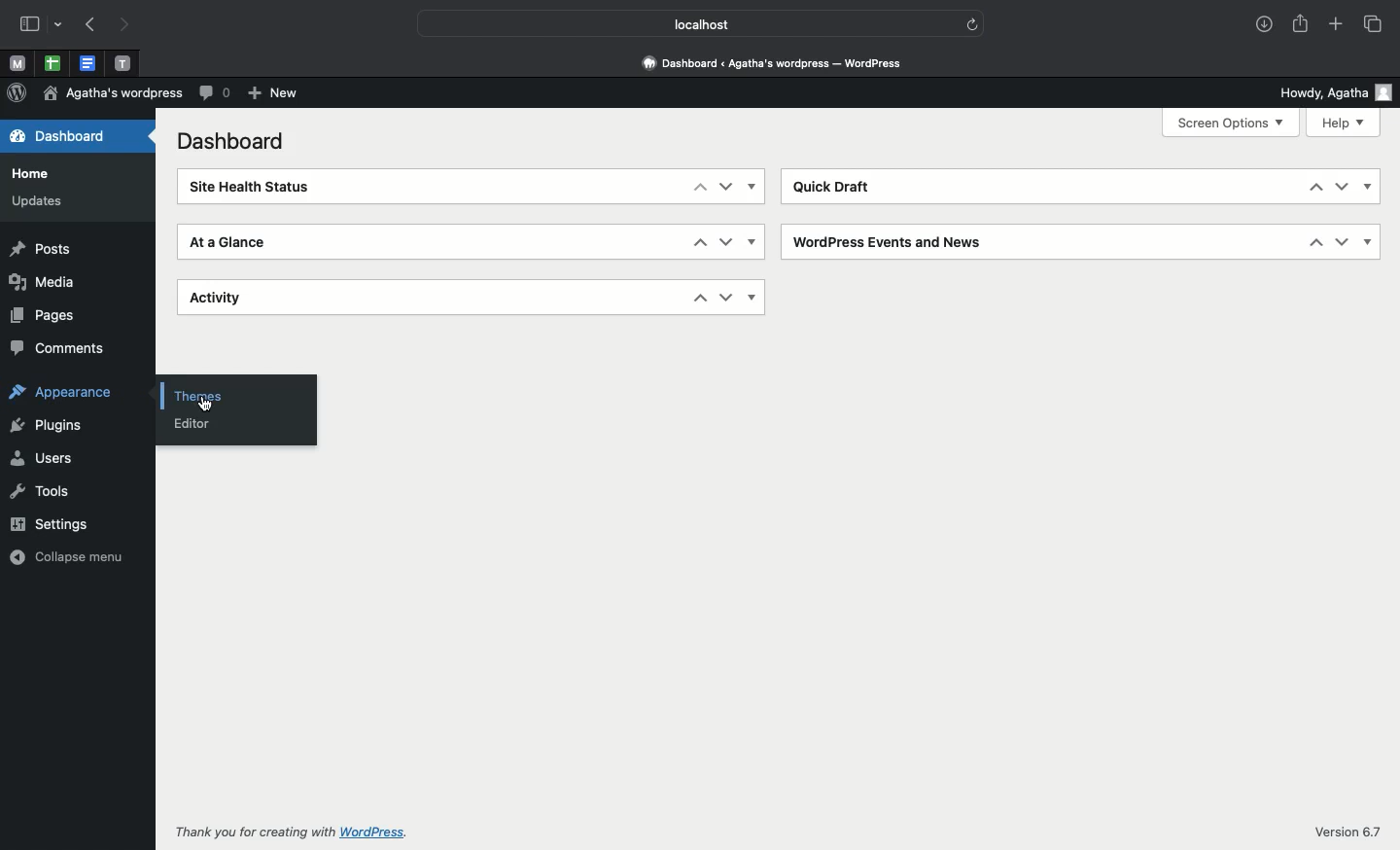  Describe the element at coordinates (296, 835) in the screenshot. I see `Thank you for creating with wordpress` at that location.